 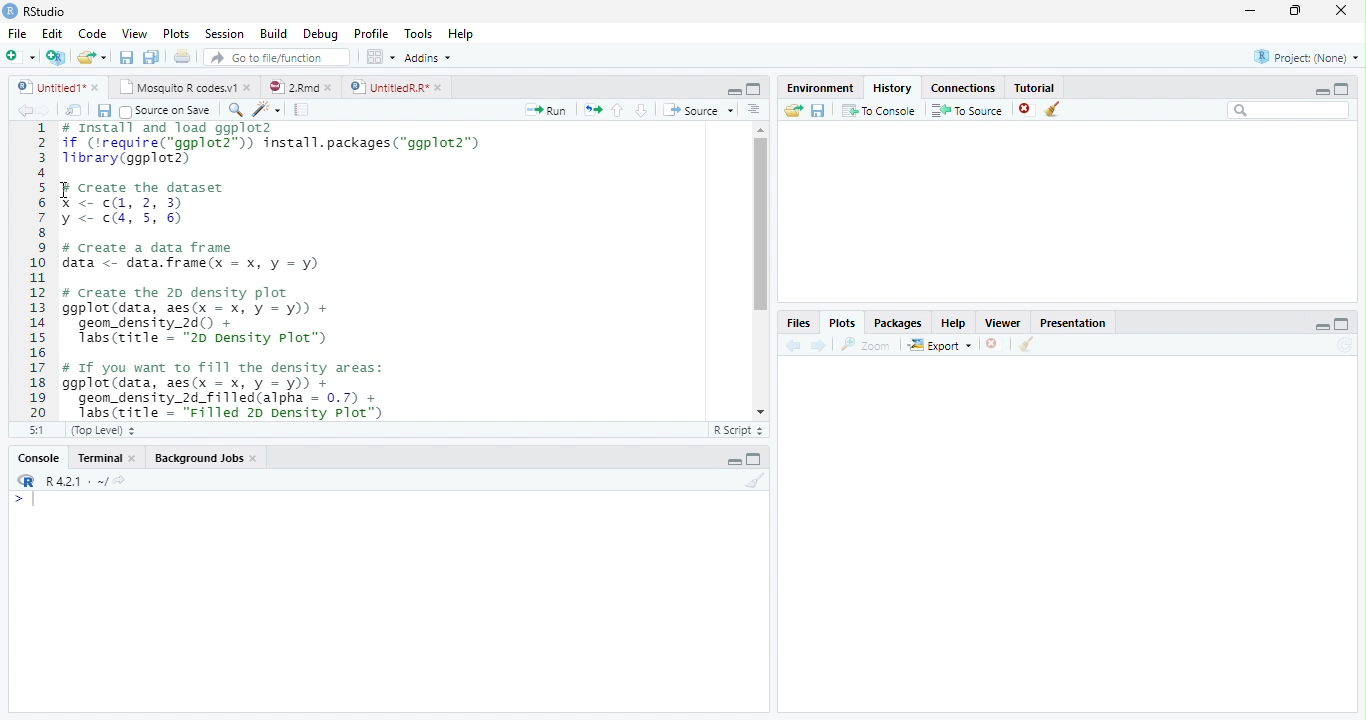 What do you see at coordinates (20, 57) in the screenshot?
I see `New file` at bounding box center [20, 57].